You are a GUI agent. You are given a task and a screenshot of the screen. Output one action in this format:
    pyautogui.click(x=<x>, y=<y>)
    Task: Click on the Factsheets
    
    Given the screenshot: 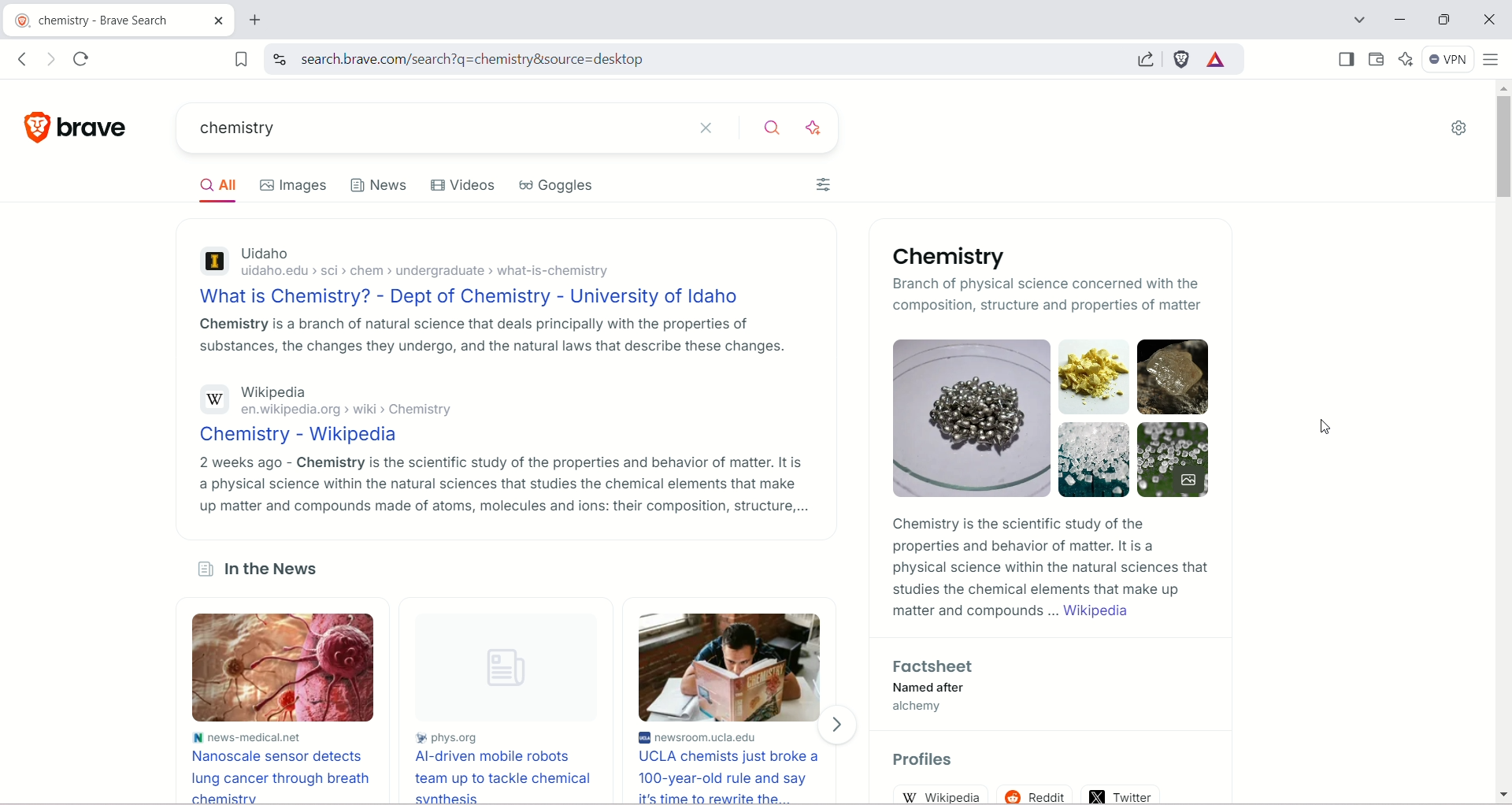 What is the action you would take?
    pyautogui.click(x=938, y=665)
    